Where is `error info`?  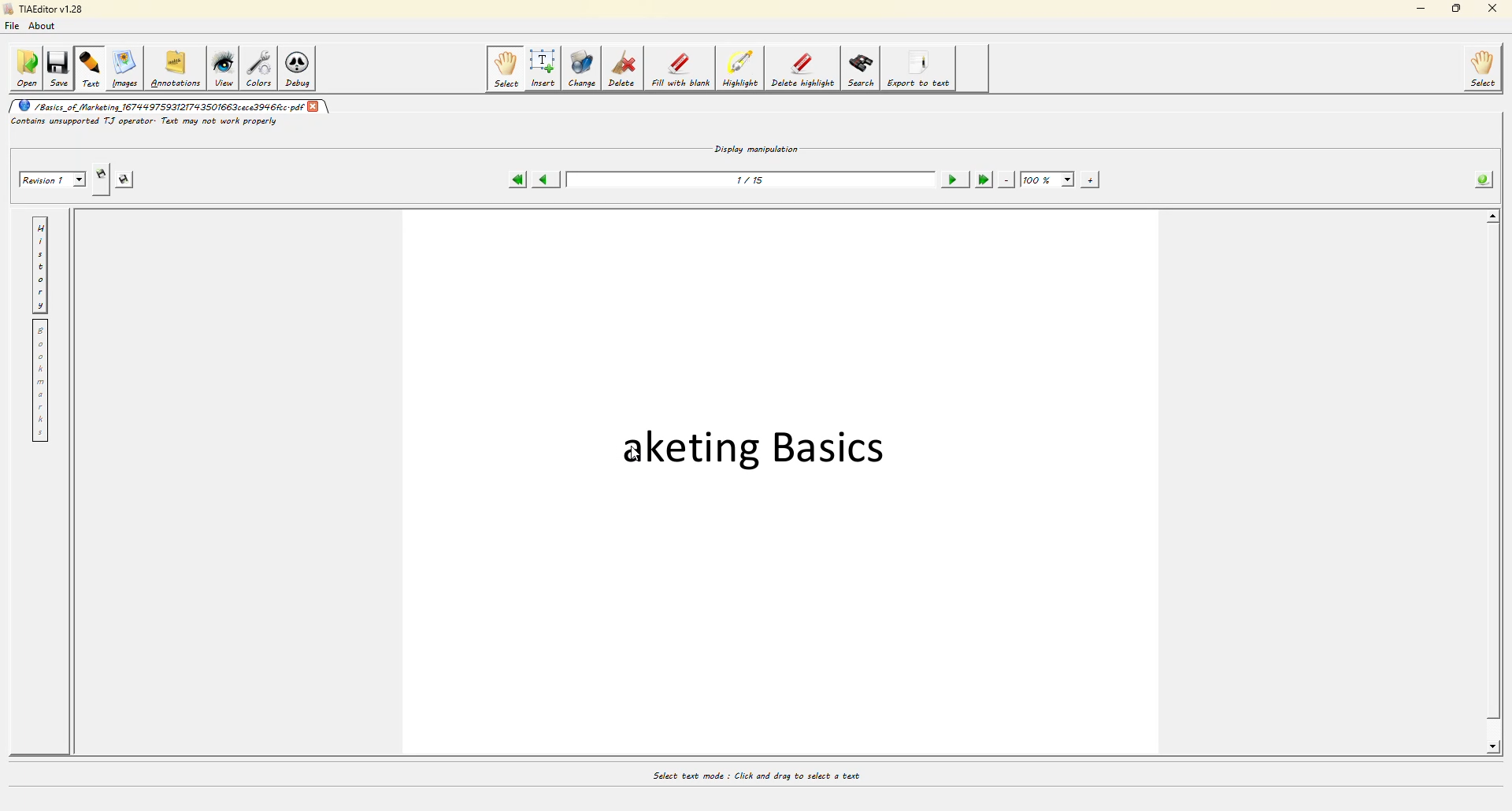
error info is located at coordinates (140, 122).